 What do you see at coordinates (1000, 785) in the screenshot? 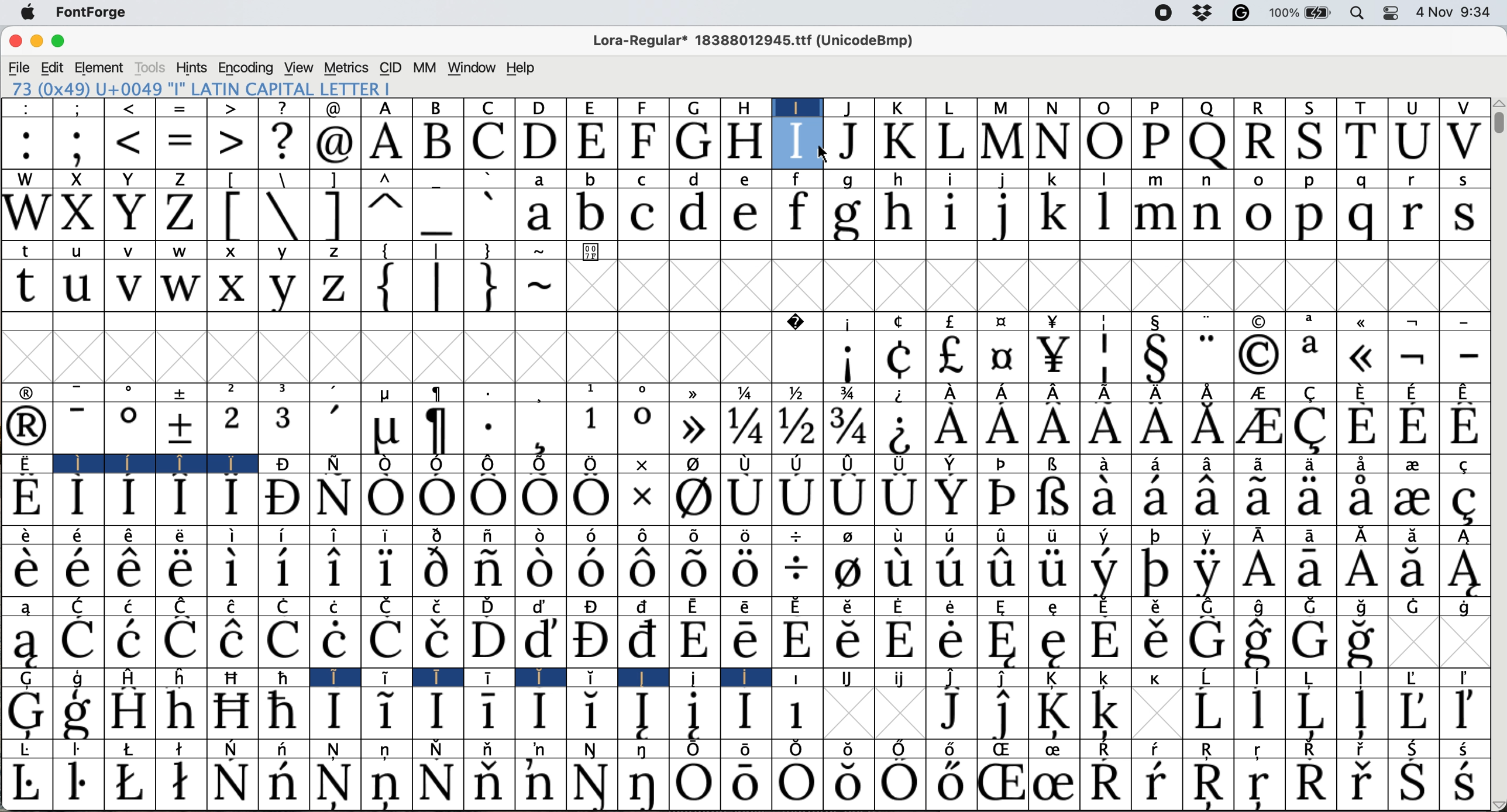
I see `Symbol` at bounding box center [1000, 785].